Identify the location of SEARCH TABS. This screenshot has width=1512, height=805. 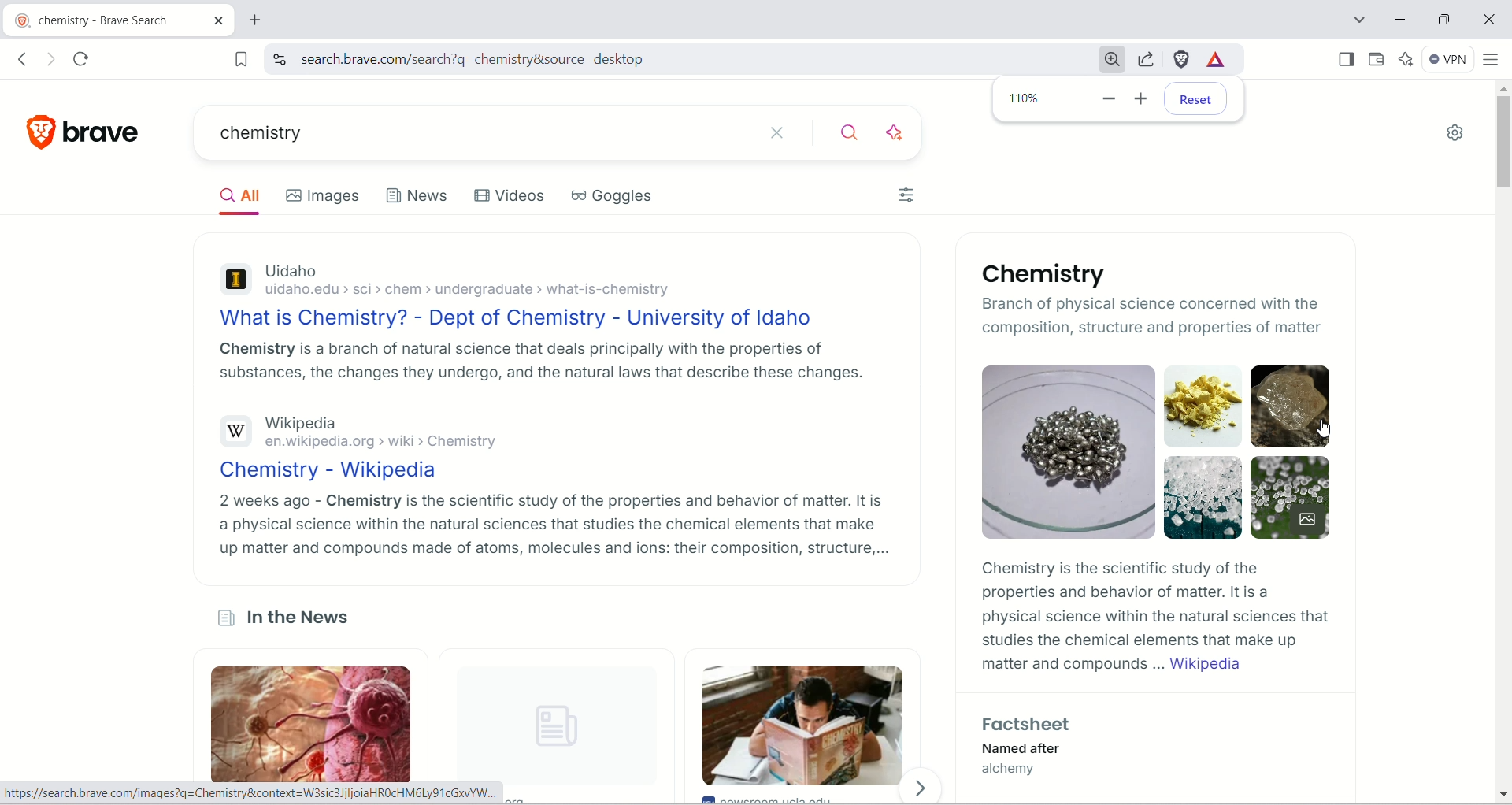
(1355, 18).